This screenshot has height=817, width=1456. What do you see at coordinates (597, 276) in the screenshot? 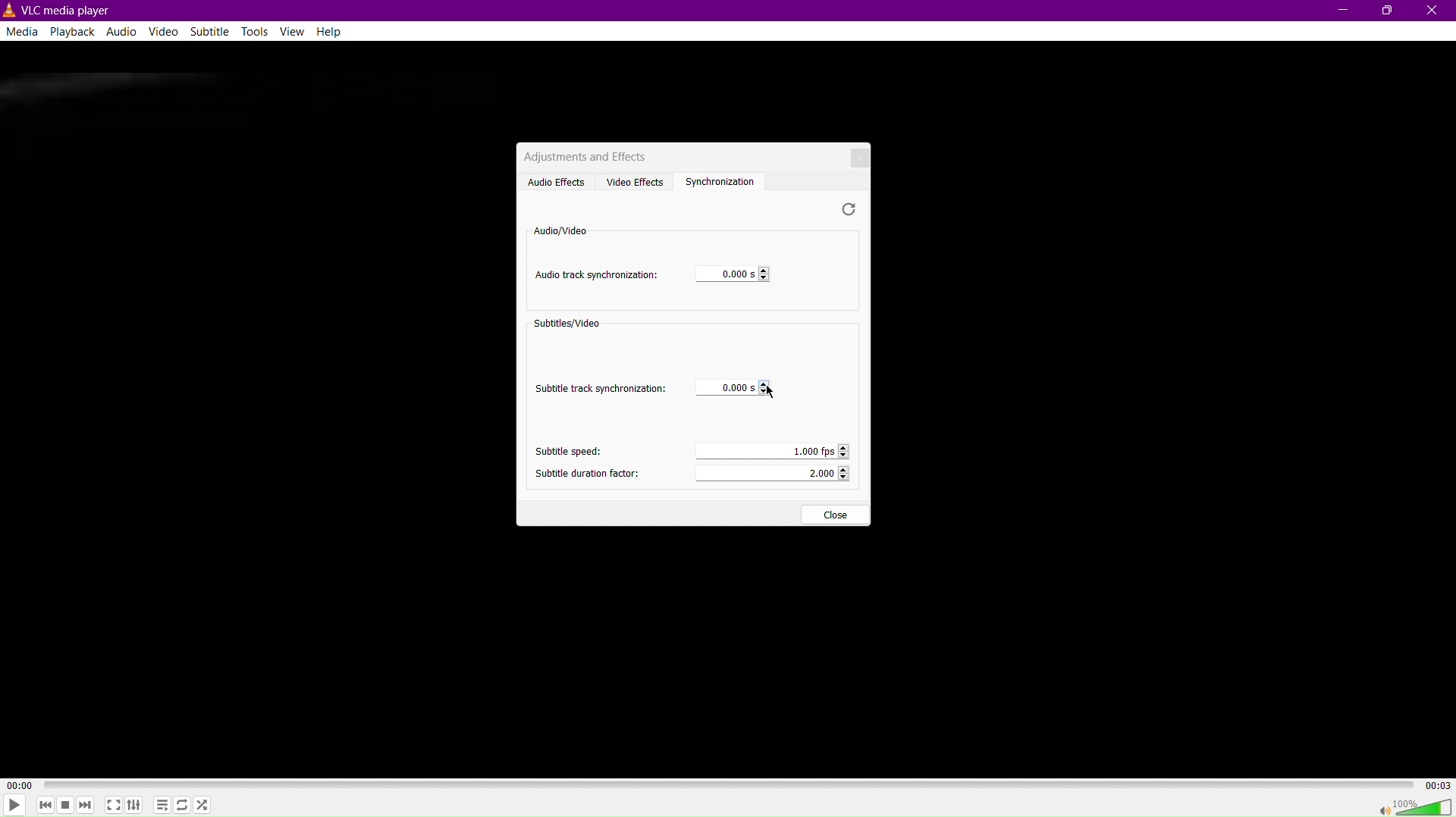
I see `Audio Track synchronization` at bounding box center [597, 276].